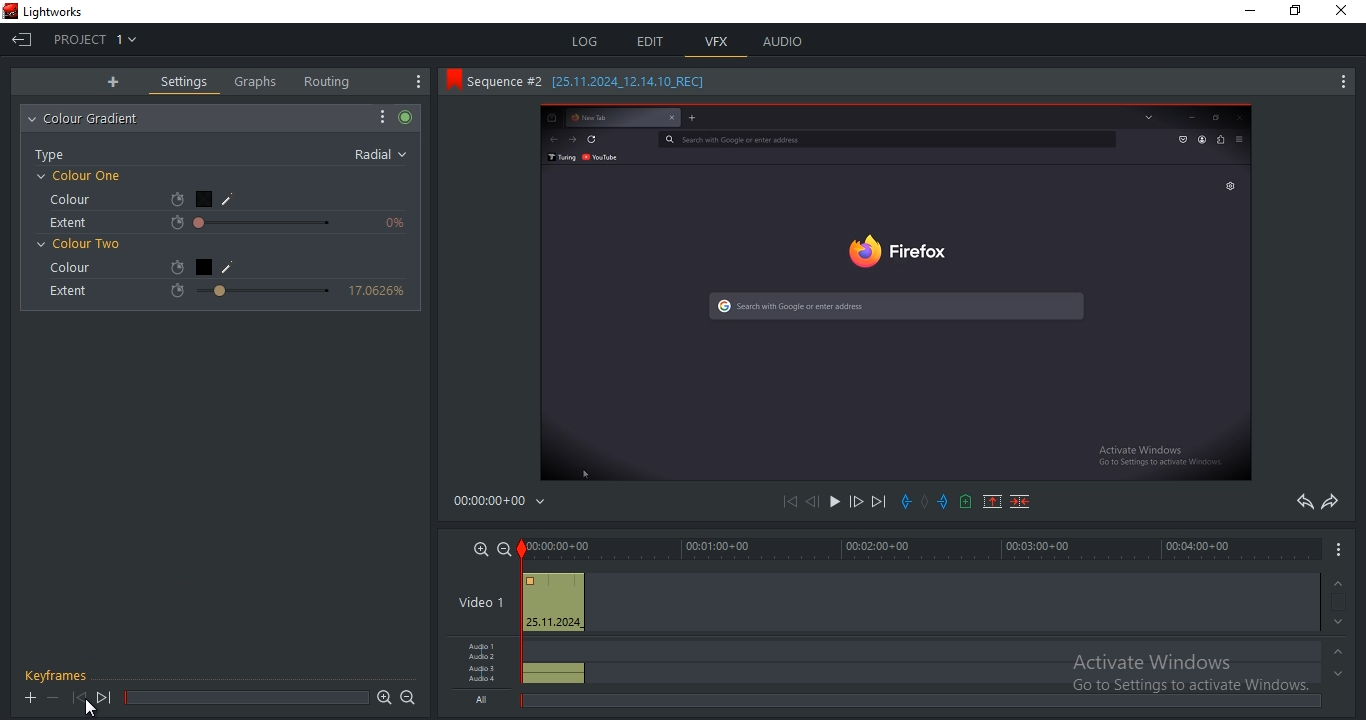 Image resolution: width=1366 pixels, height=720 pixels. What do you see at coordinates (1340, 582) in the screenshot?
I see `greyed out up arrow` at bounding box center [1340, 582].